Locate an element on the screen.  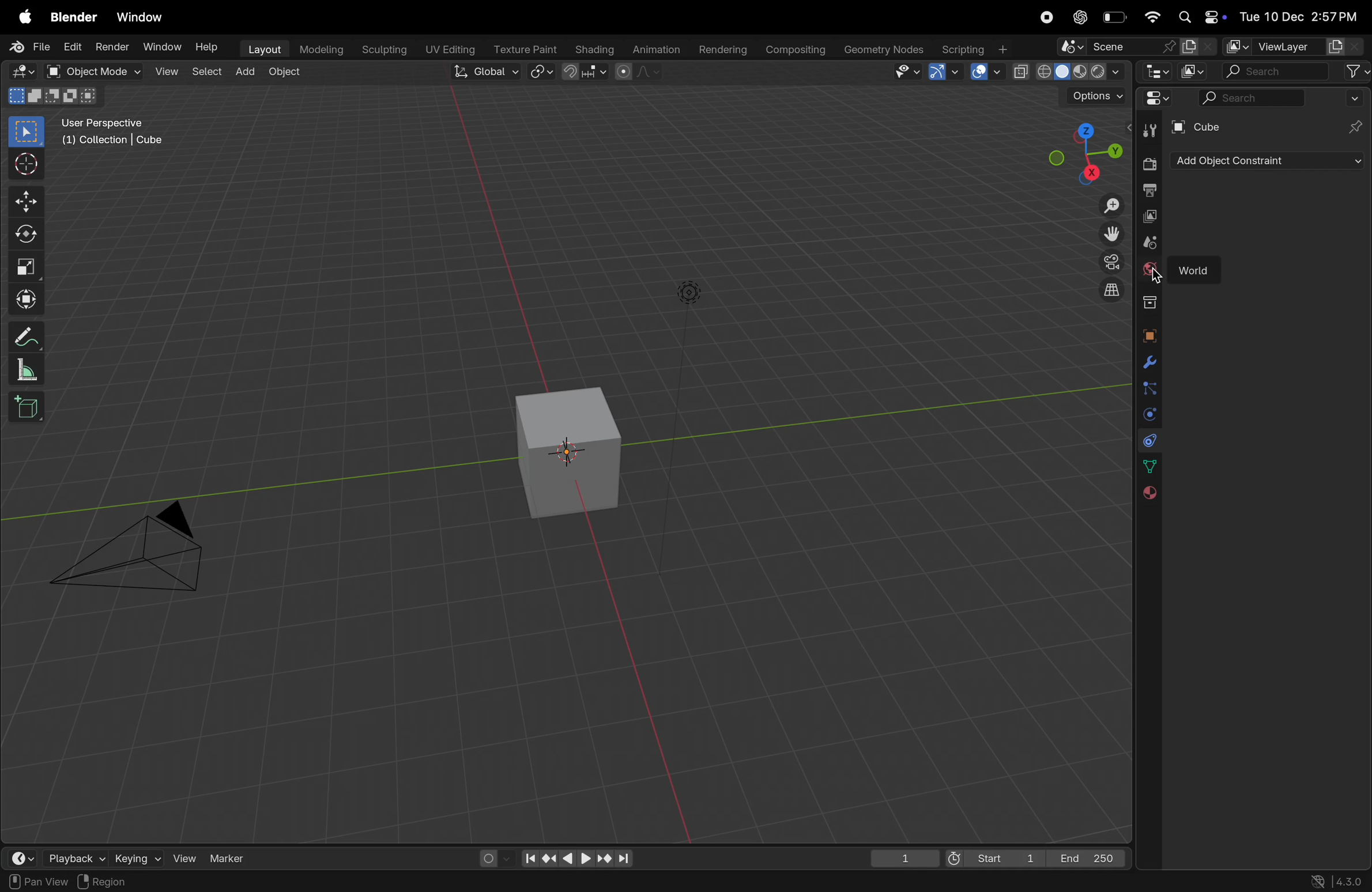
Shading is located at coordinates (593, 49).